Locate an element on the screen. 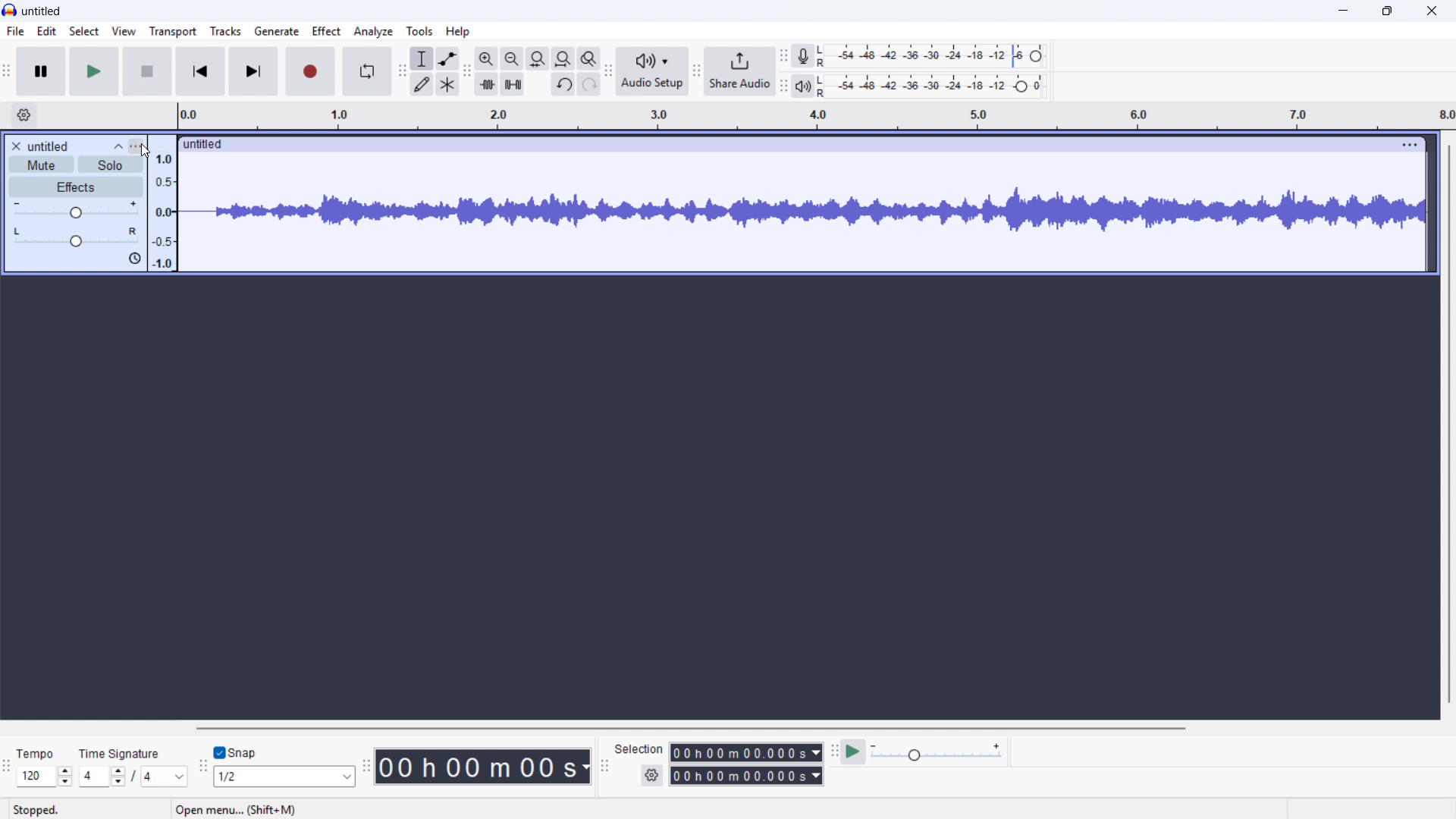 Image resolution: width=1456 pixels, height=819 pixels. Set tempo  is located at coordinates (44, 777).